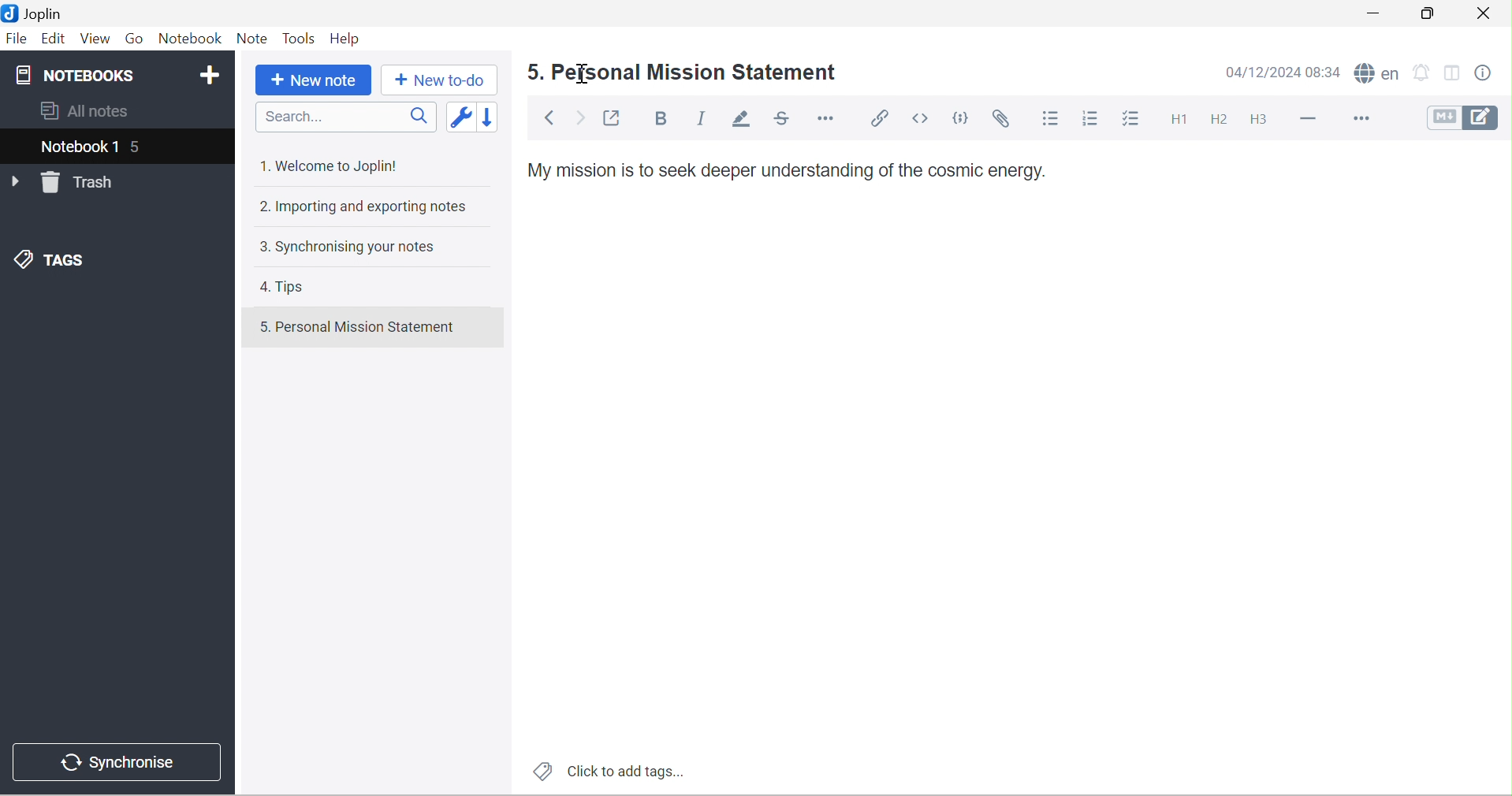  Describe the element at coordinates (1261, 120) in the screenshot. I see `Heading 3` at that location.